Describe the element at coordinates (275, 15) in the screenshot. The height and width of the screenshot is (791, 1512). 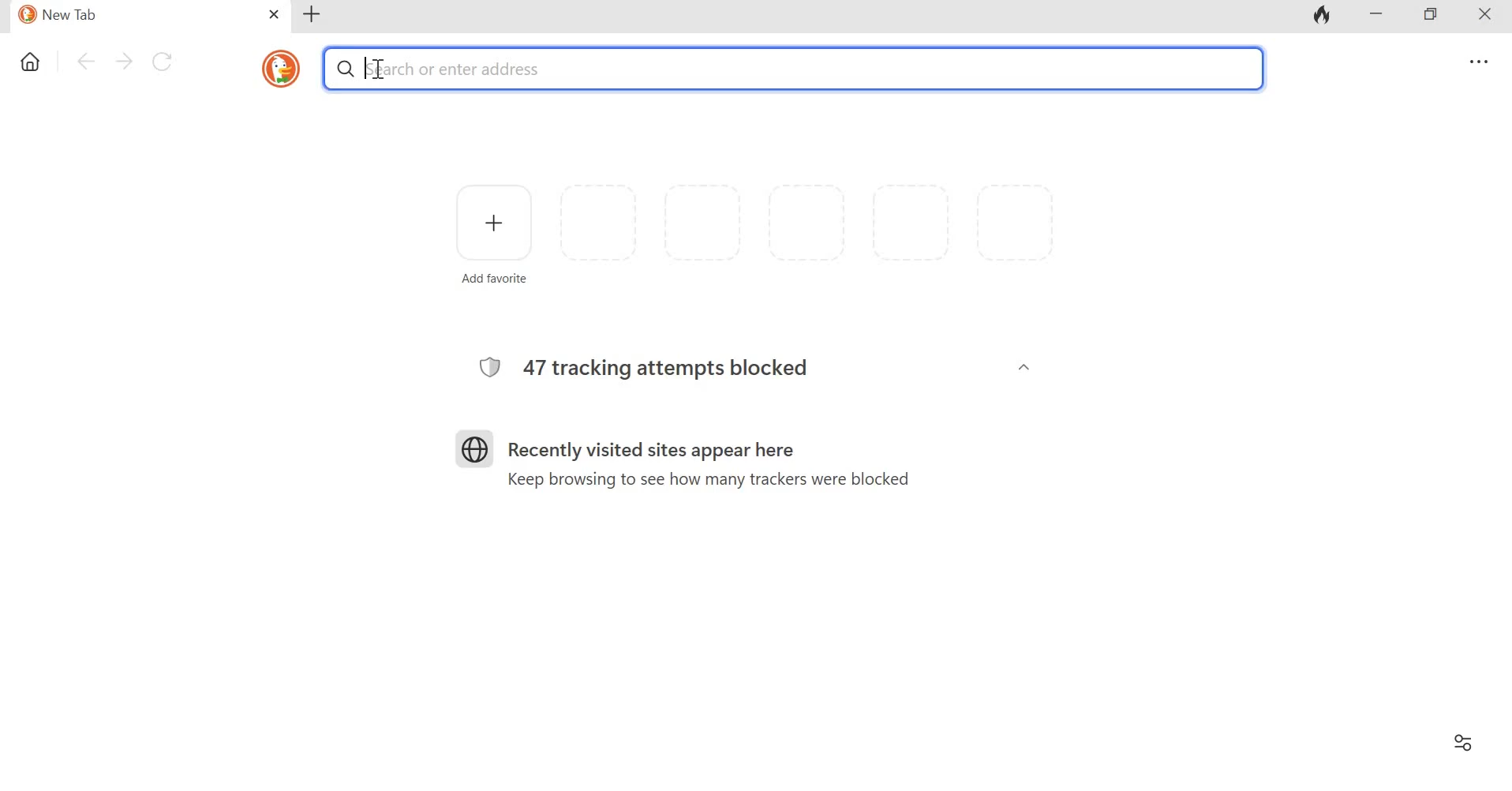
I see `close` at that location.